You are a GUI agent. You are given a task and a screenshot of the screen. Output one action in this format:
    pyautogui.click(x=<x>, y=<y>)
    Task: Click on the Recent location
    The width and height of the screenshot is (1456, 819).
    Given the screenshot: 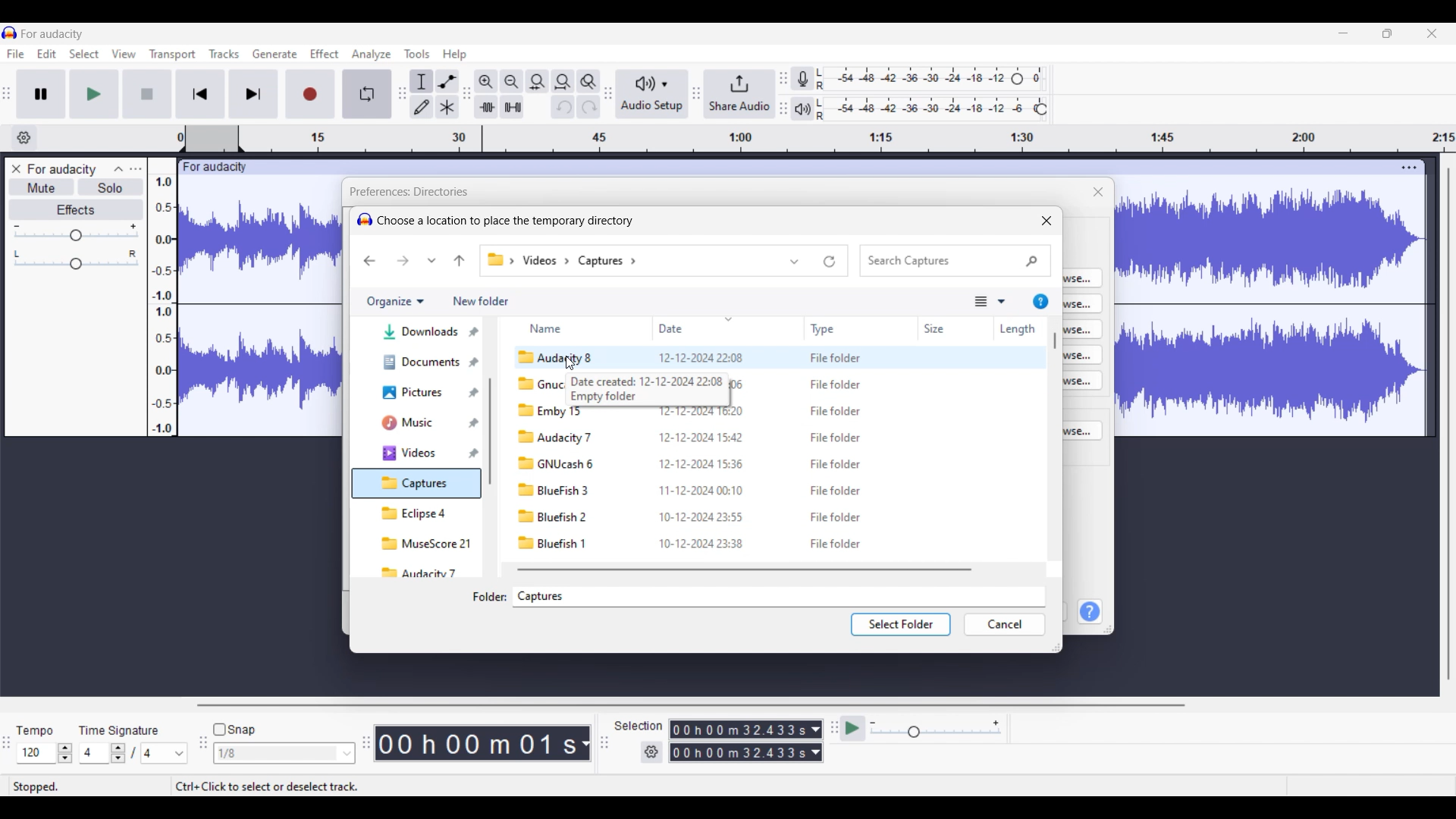 What is the action you would take?
    pyautogui.click(x=431, y=260)
    